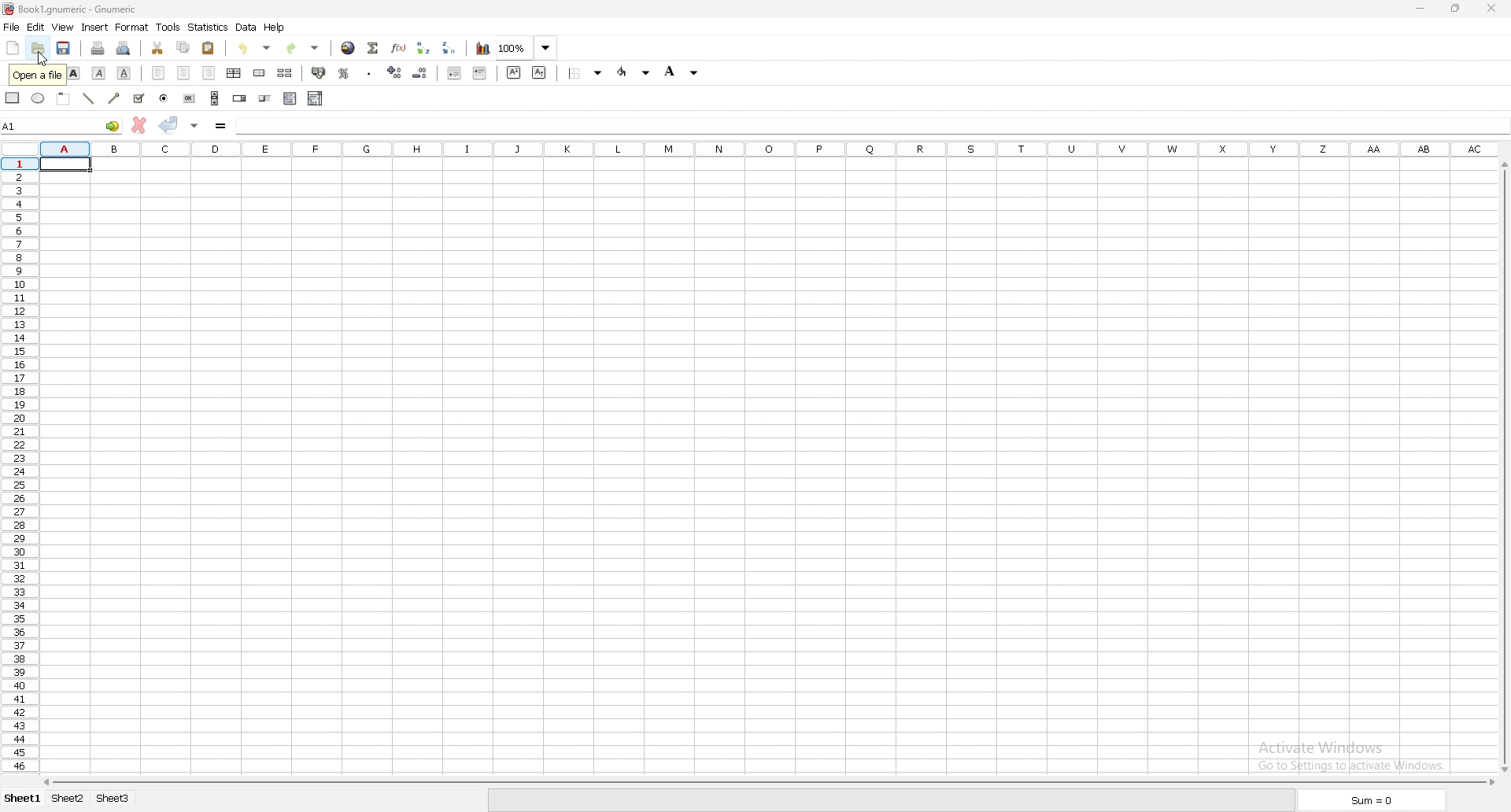 The image size is (1511, 812). Describe the element at coordinates (65, 48) in the screenshot. I see `save` at that location.